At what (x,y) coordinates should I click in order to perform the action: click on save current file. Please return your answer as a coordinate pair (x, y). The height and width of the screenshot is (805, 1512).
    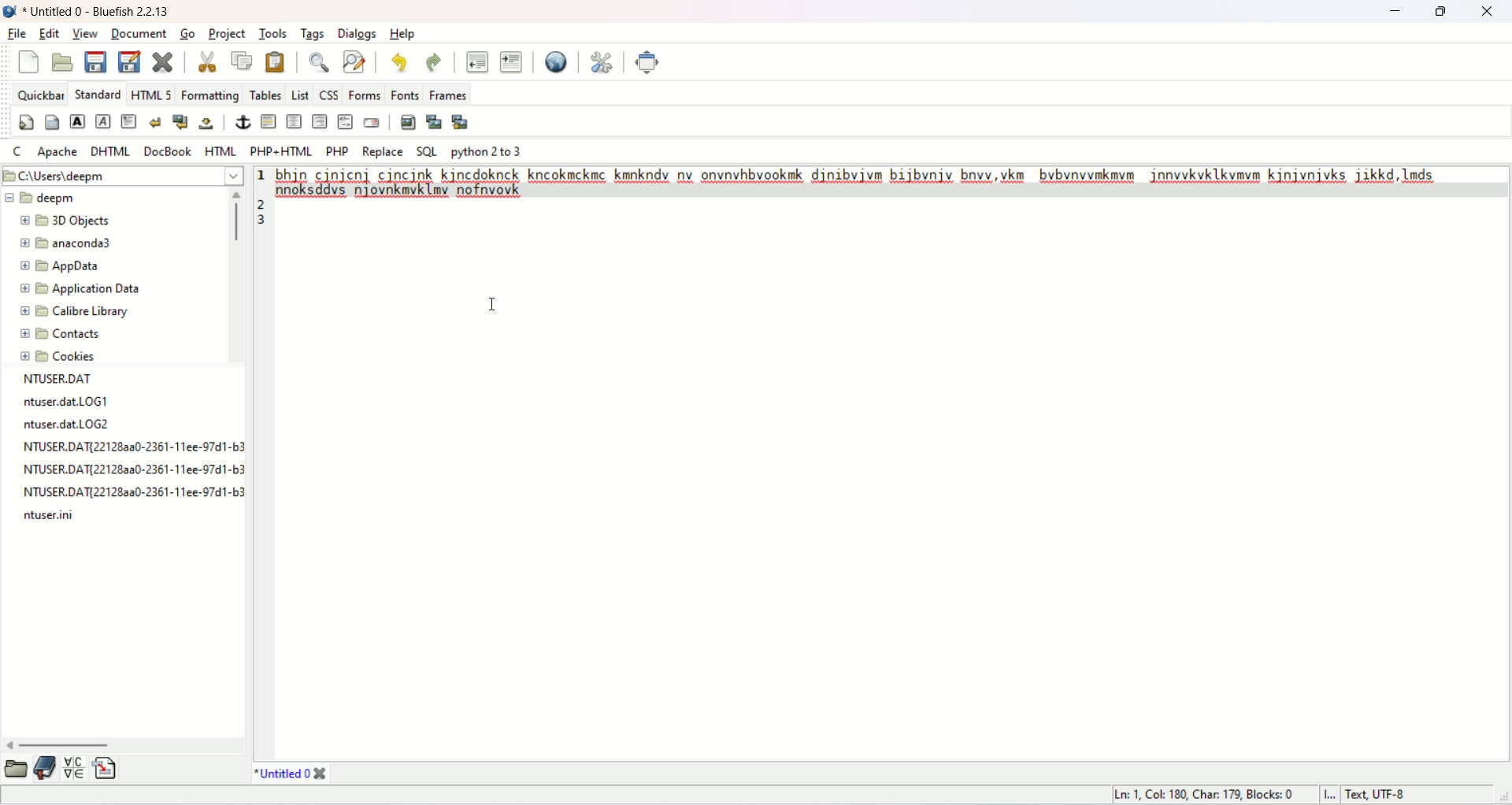
    Looking at the image, I should click on (98, 65).